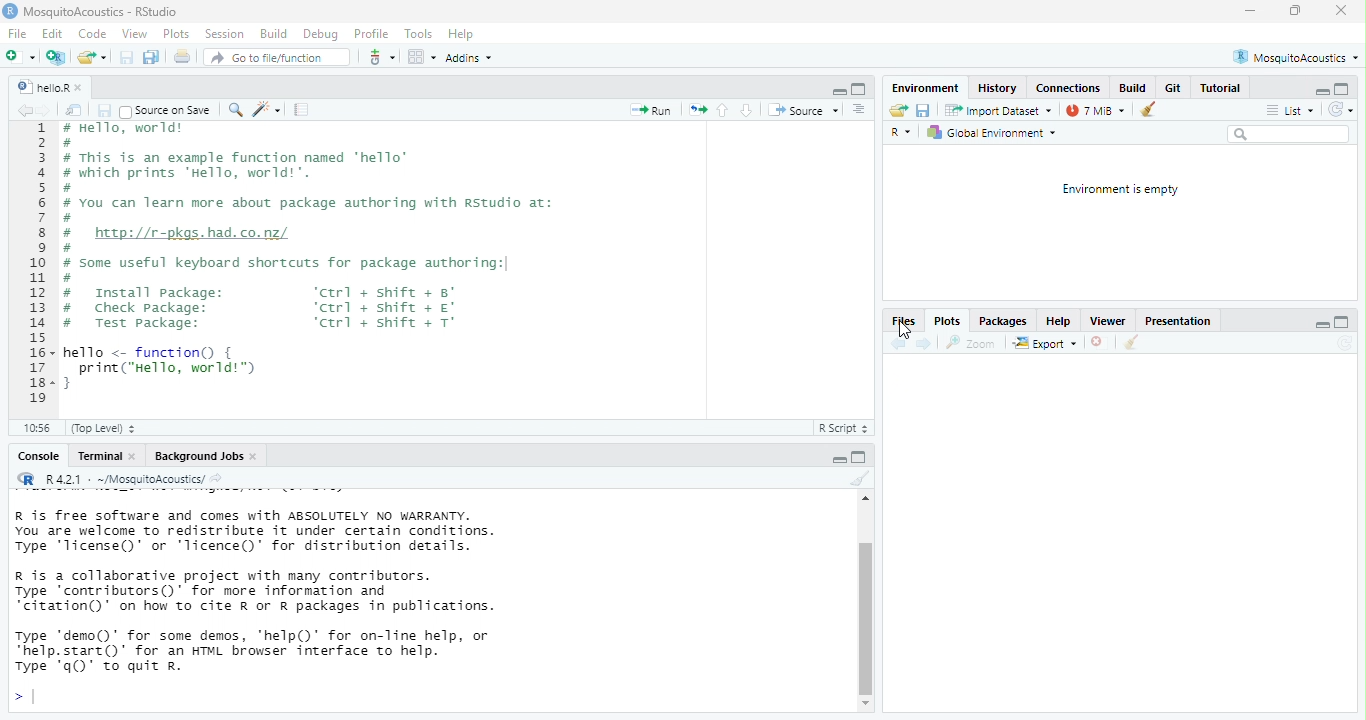 The height and width of the screenshot is (720, 1366). I want to click on Console, so click(36, 458).